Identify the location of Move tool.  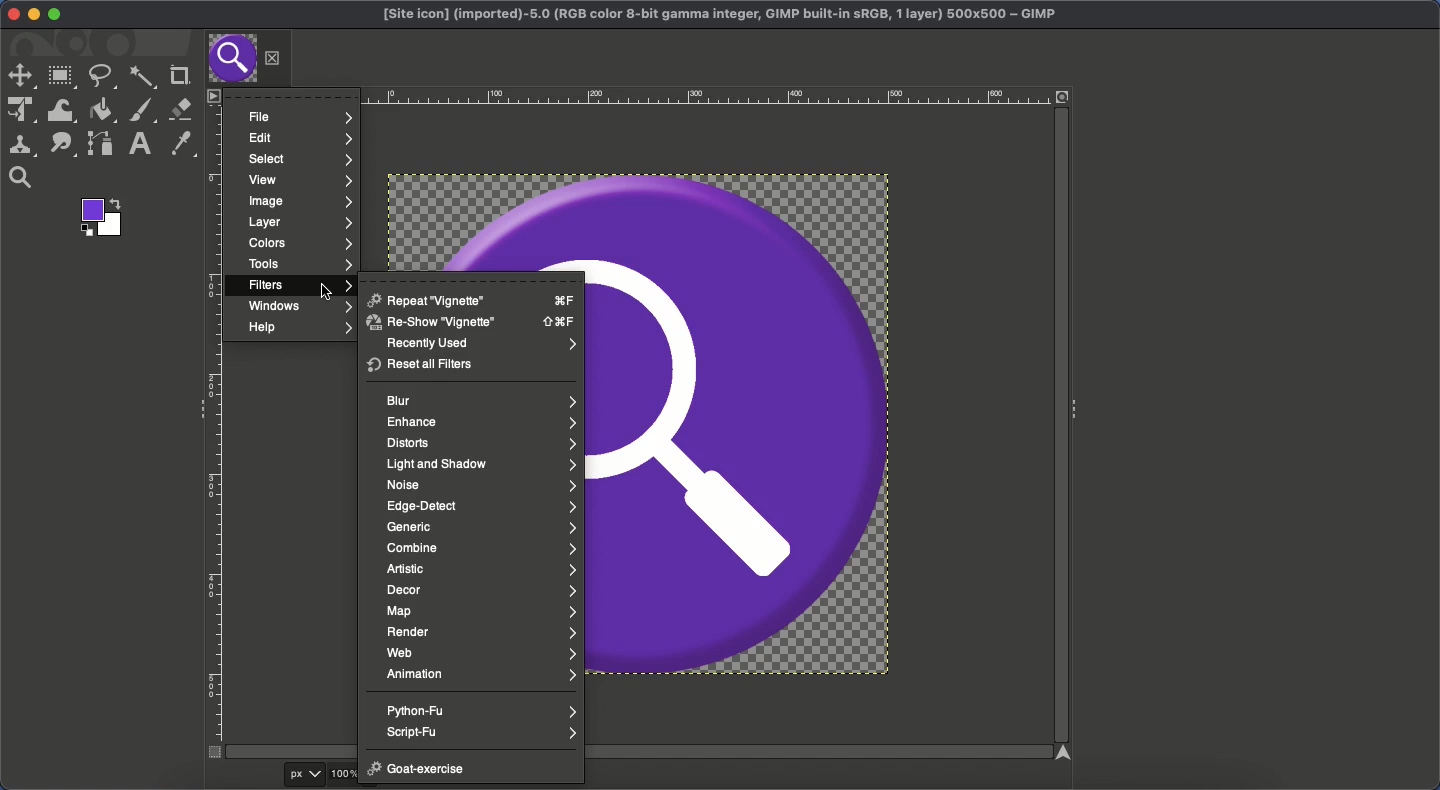
(20, 76).